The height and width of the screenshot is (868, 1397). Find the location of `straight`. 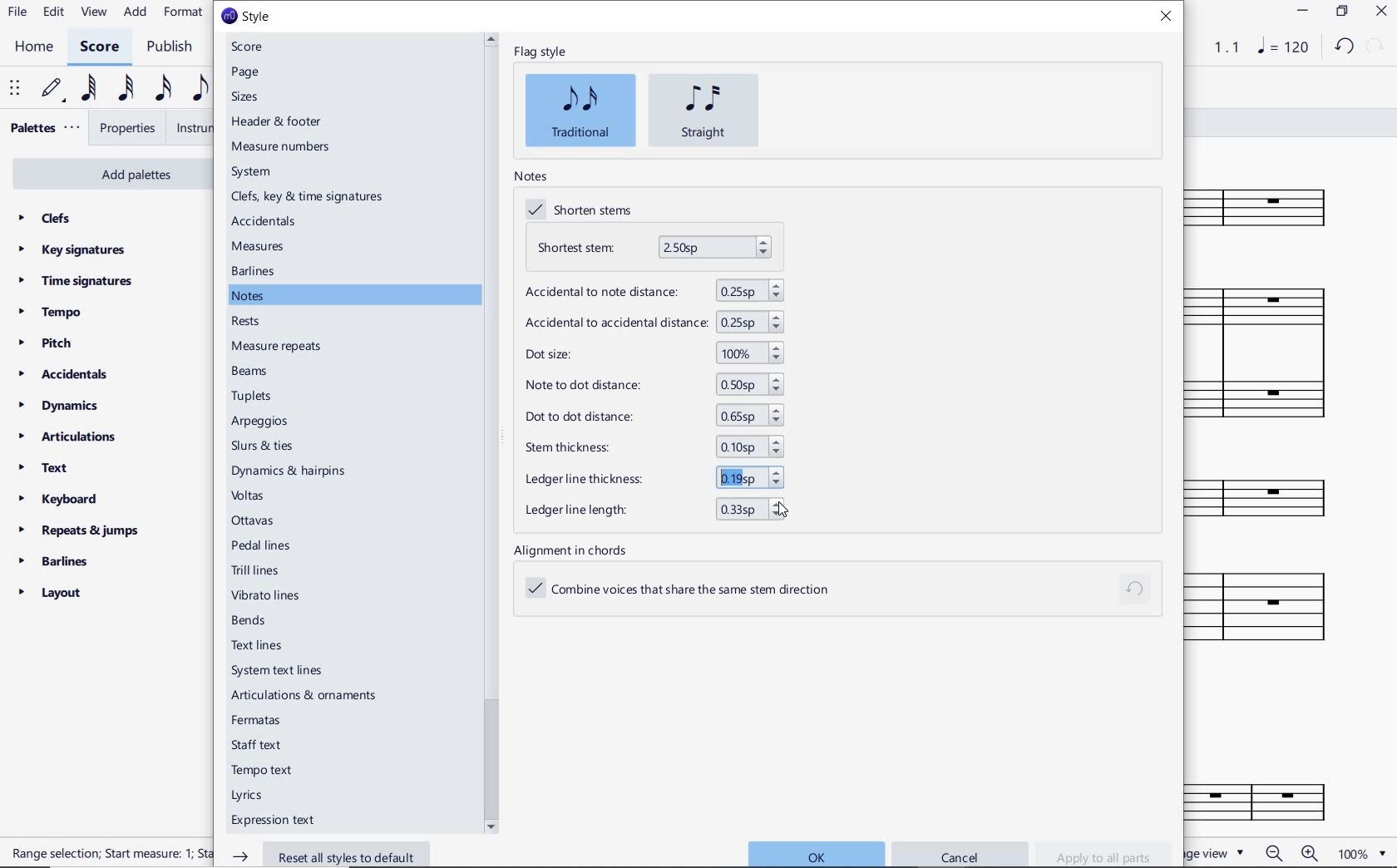

straight is located at coordinates (704, 111).